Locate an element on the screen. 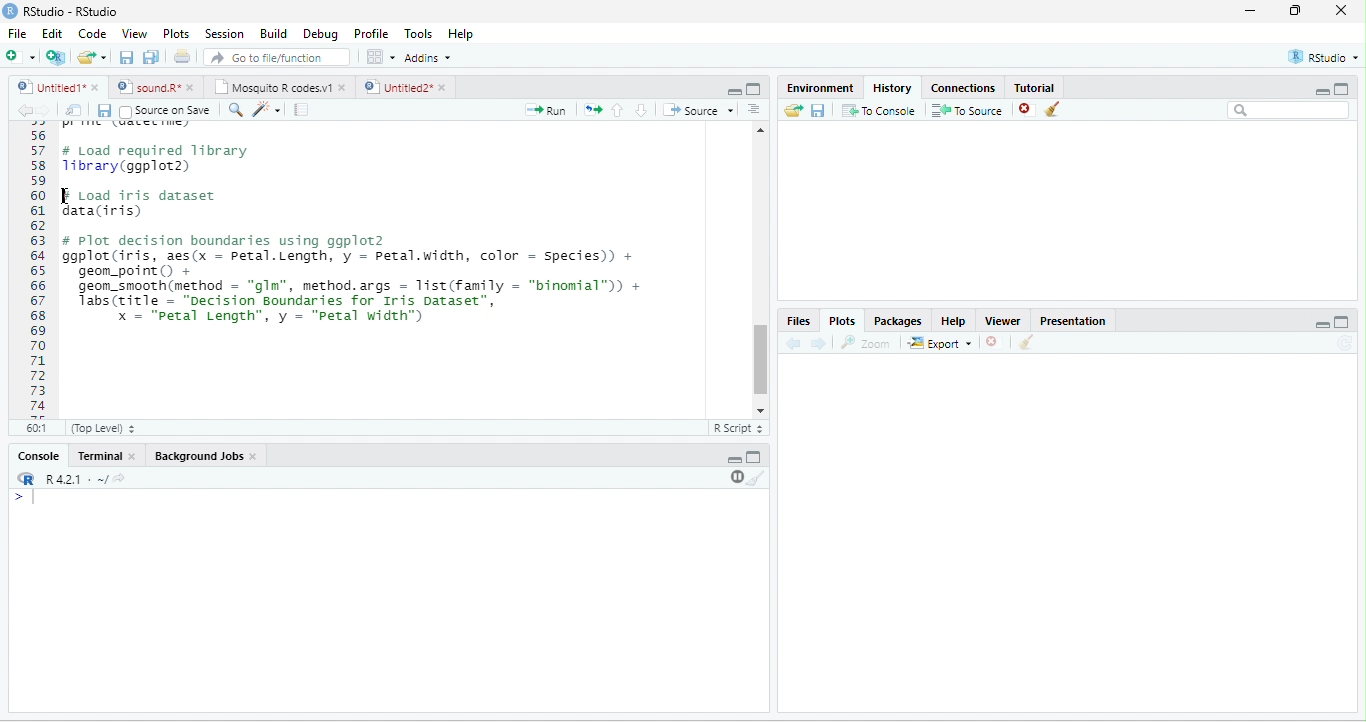 The image size is (1366, 722). Minimize is located at coordinates (1322, 326).